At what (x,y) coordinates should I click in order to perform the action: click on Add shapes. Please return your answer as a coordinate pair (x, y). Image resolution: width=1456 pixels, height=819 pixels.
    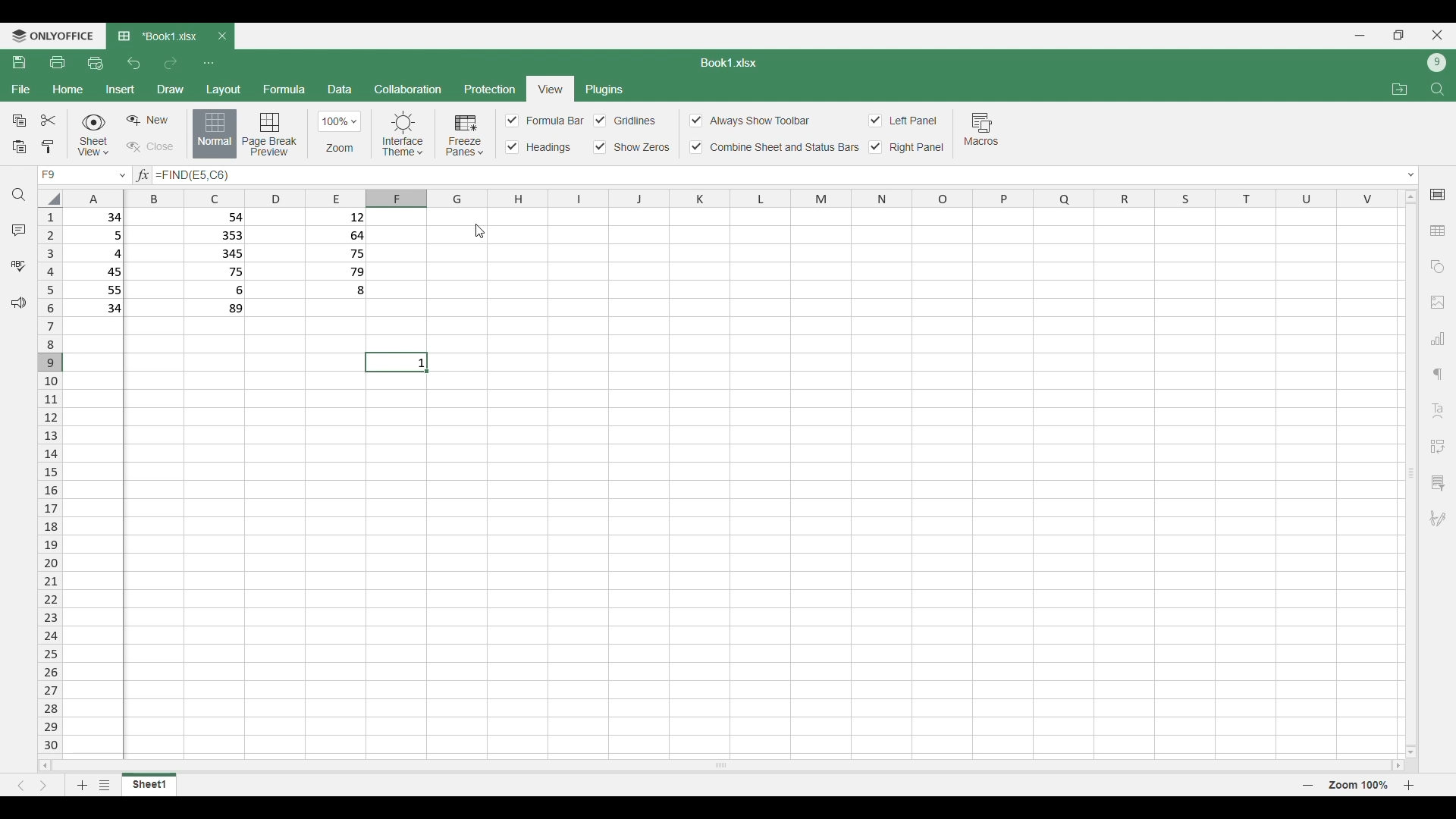
    Looking at the image, I should click on (1438, 266).